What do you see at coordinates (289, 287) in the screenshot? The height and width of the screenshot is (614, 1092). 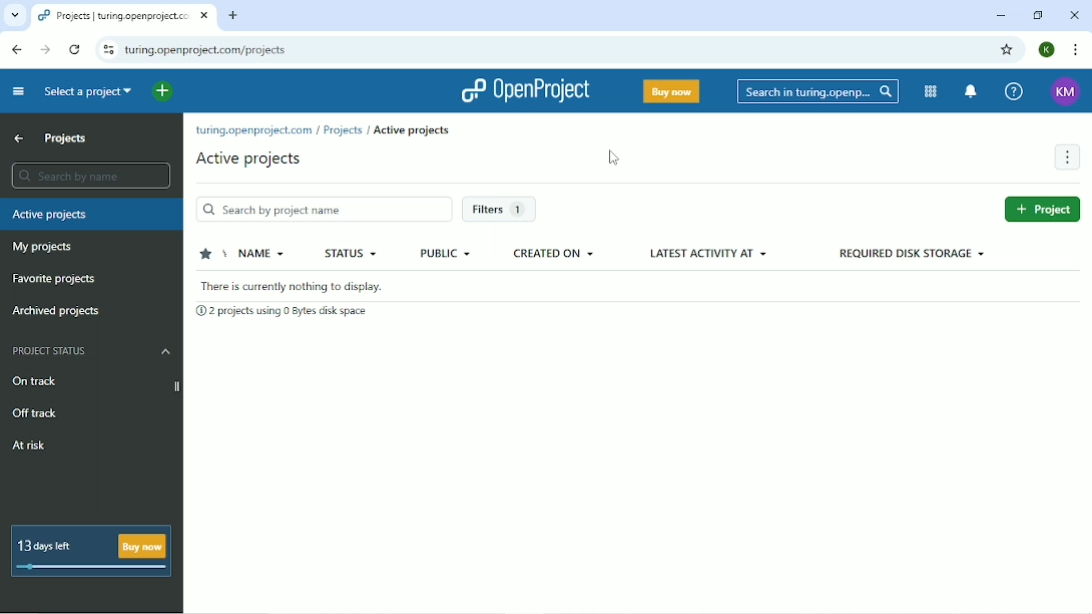 I see `There is currently nothing to display` at bounding box center [289, 287].